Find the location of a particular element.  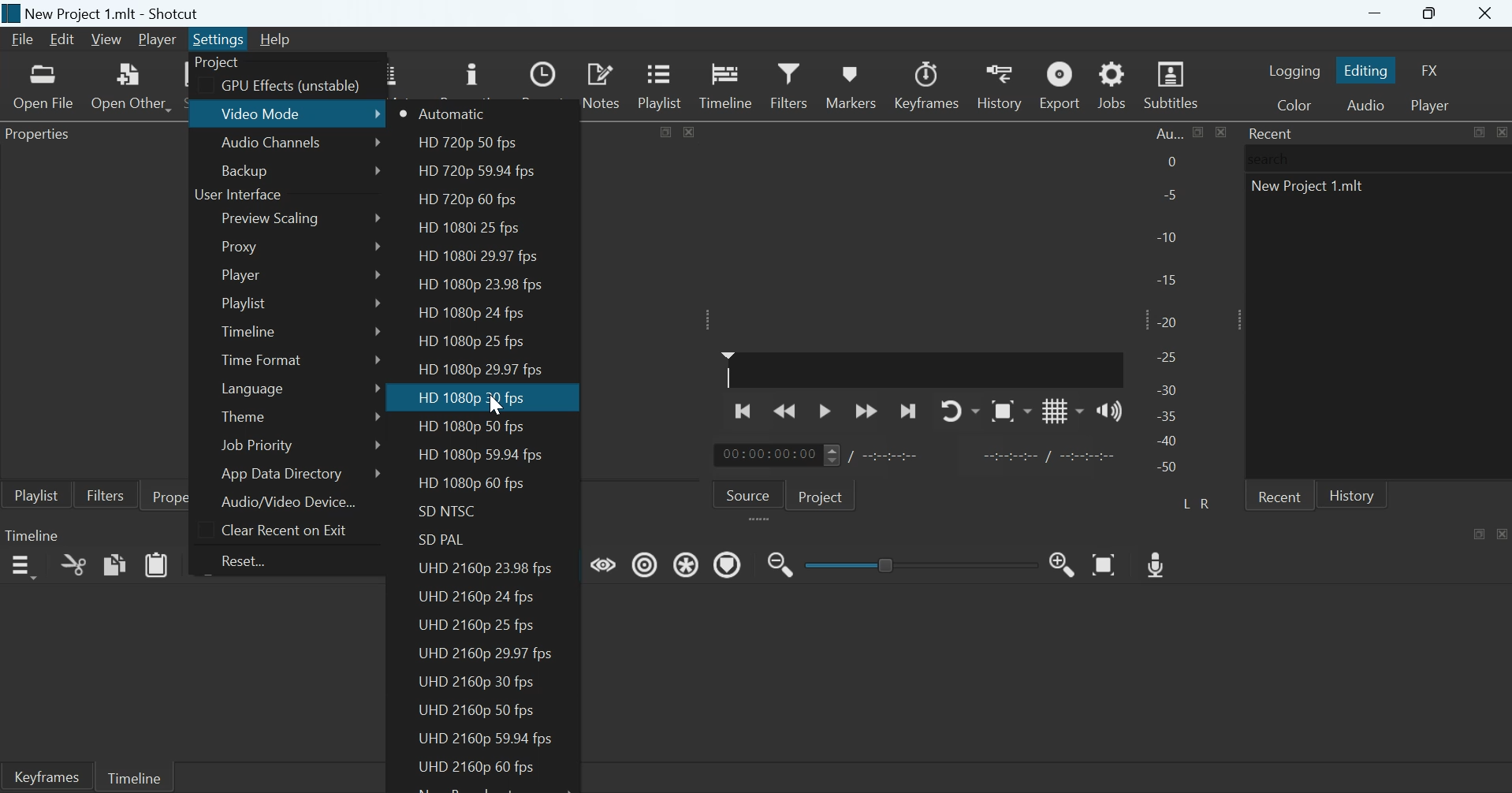

UHD 2160p 59.94 fps is located at coordinates (484, 739).